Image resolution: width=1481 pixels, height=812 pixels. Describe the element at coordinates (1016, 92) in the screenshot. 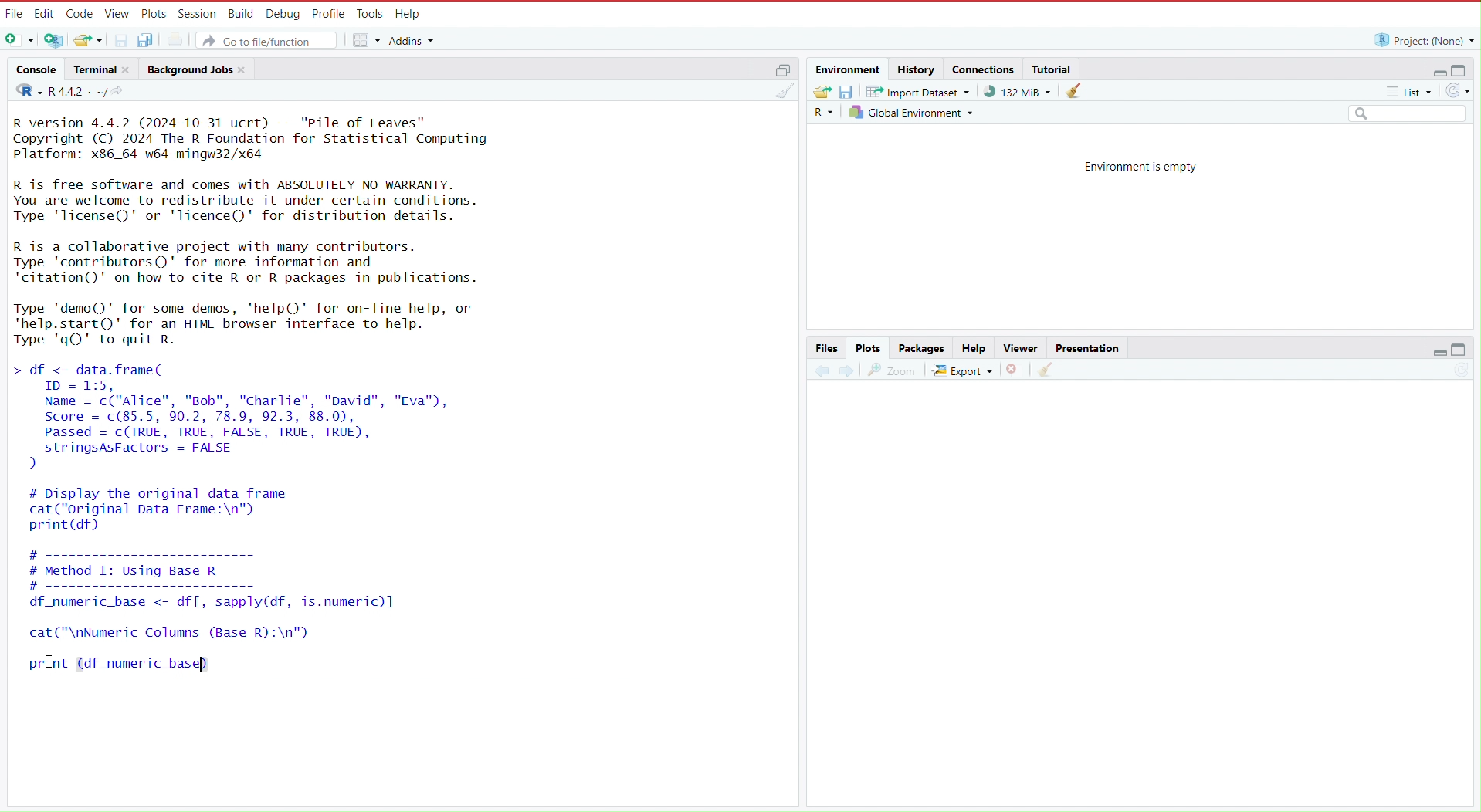

I see `91,132 KiB used by R session` at that location.